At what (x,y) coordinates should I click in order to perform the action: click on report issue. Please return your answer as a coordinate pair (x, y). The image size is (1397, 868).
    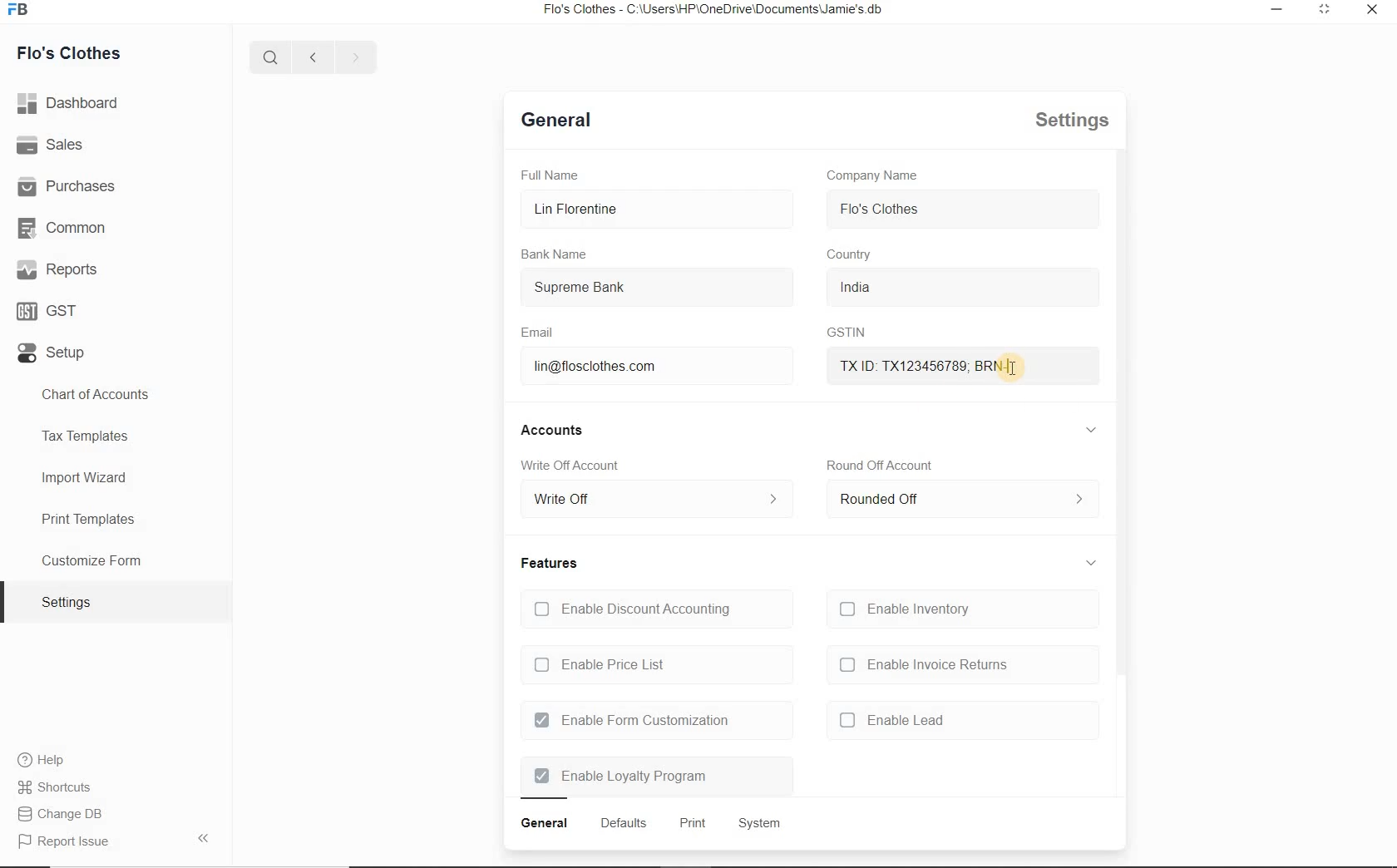
    Looking at the image, I should click on (72, 842).